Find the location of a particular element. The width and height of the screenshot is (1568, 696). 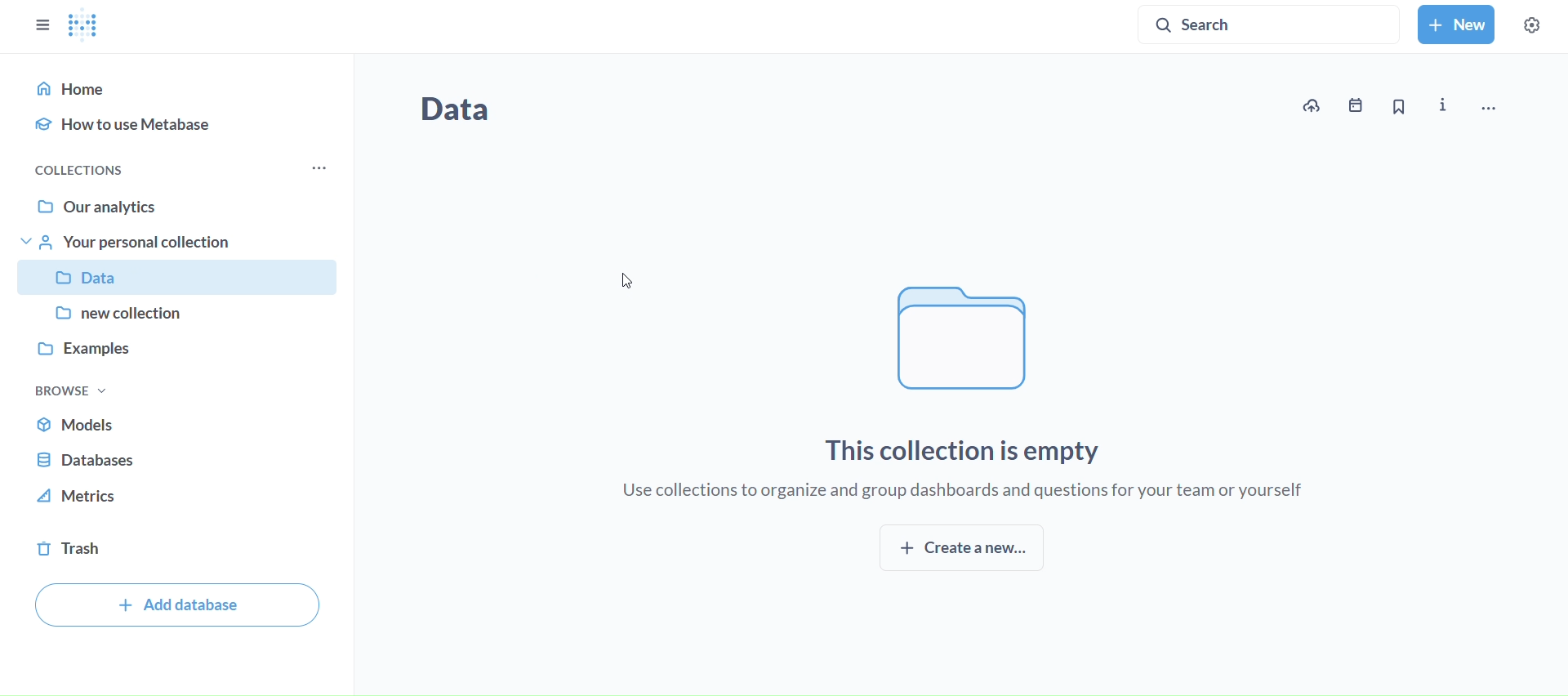

use collections to organize and group dashboard and questions for your team or yourself is located at coordinates (970, 492).